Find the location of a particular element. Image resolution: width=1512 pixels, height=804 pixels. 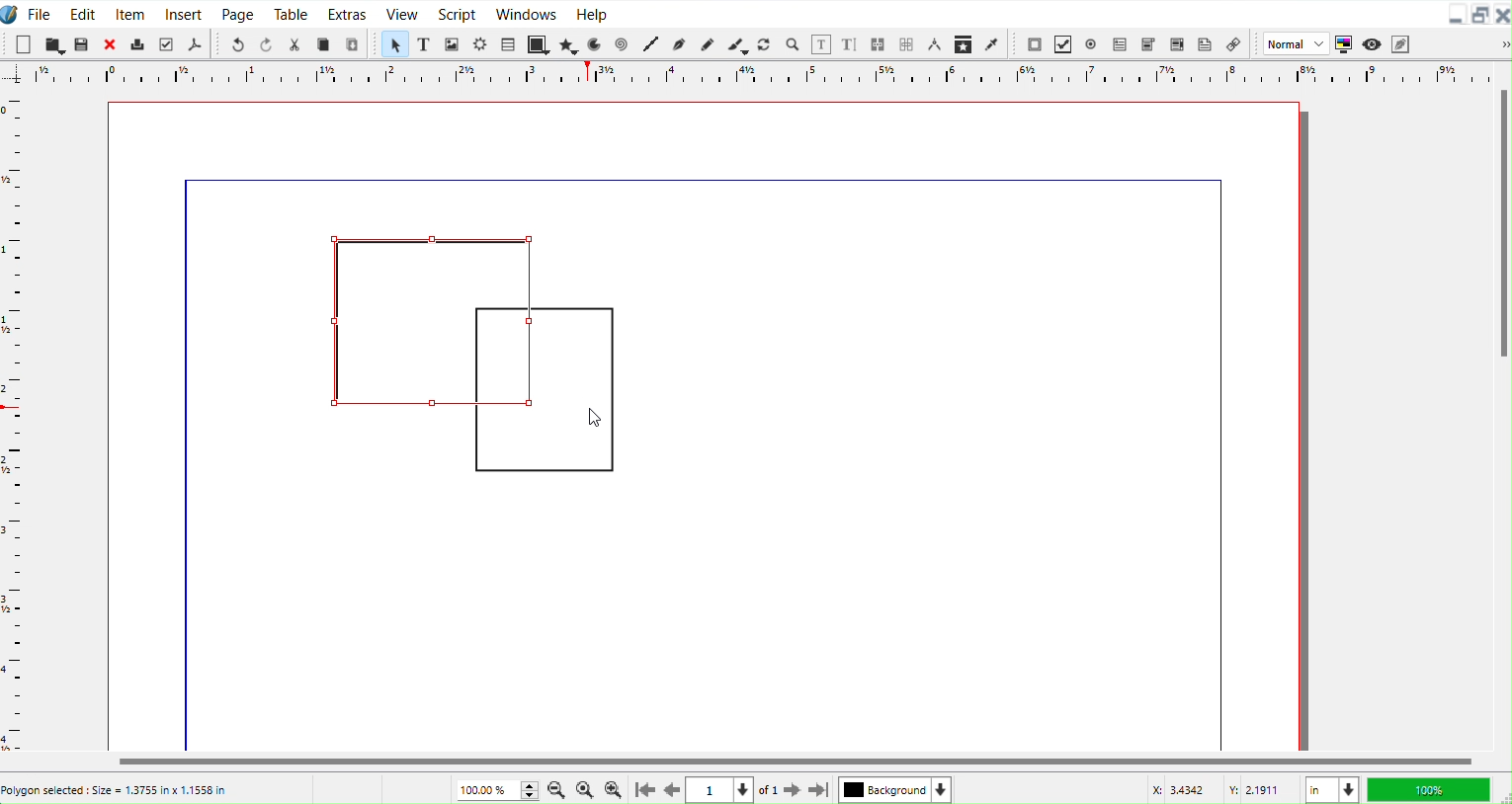

Toggle color is located at coordinates (1342, 44).